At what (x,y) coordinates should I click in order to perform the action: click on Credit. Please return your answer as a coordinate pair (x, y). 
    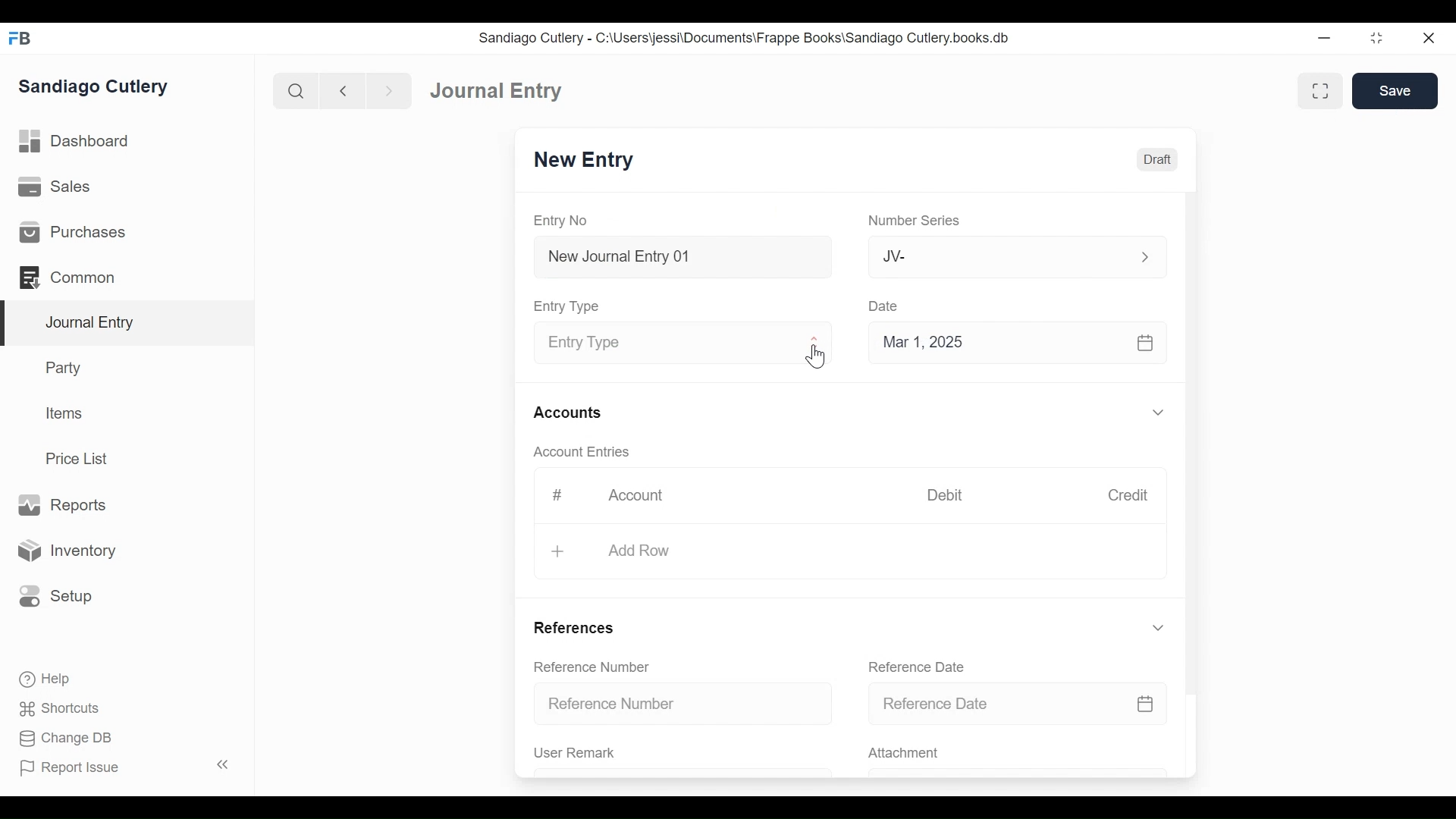
    Looking at the image, I should click on (1128, 495).